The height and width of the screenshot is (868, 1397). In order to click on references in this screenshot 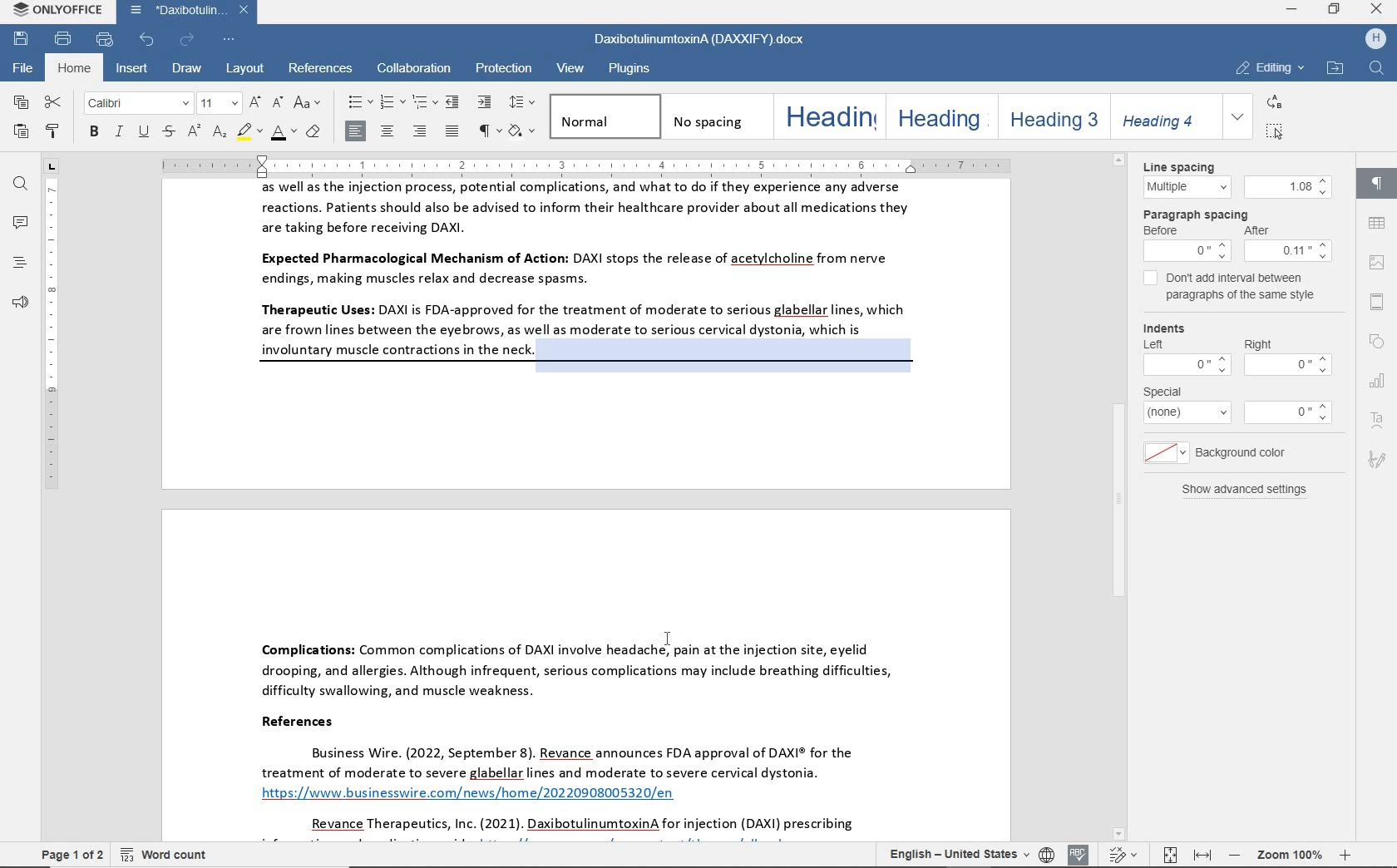, I will do `click(323, 69)`.